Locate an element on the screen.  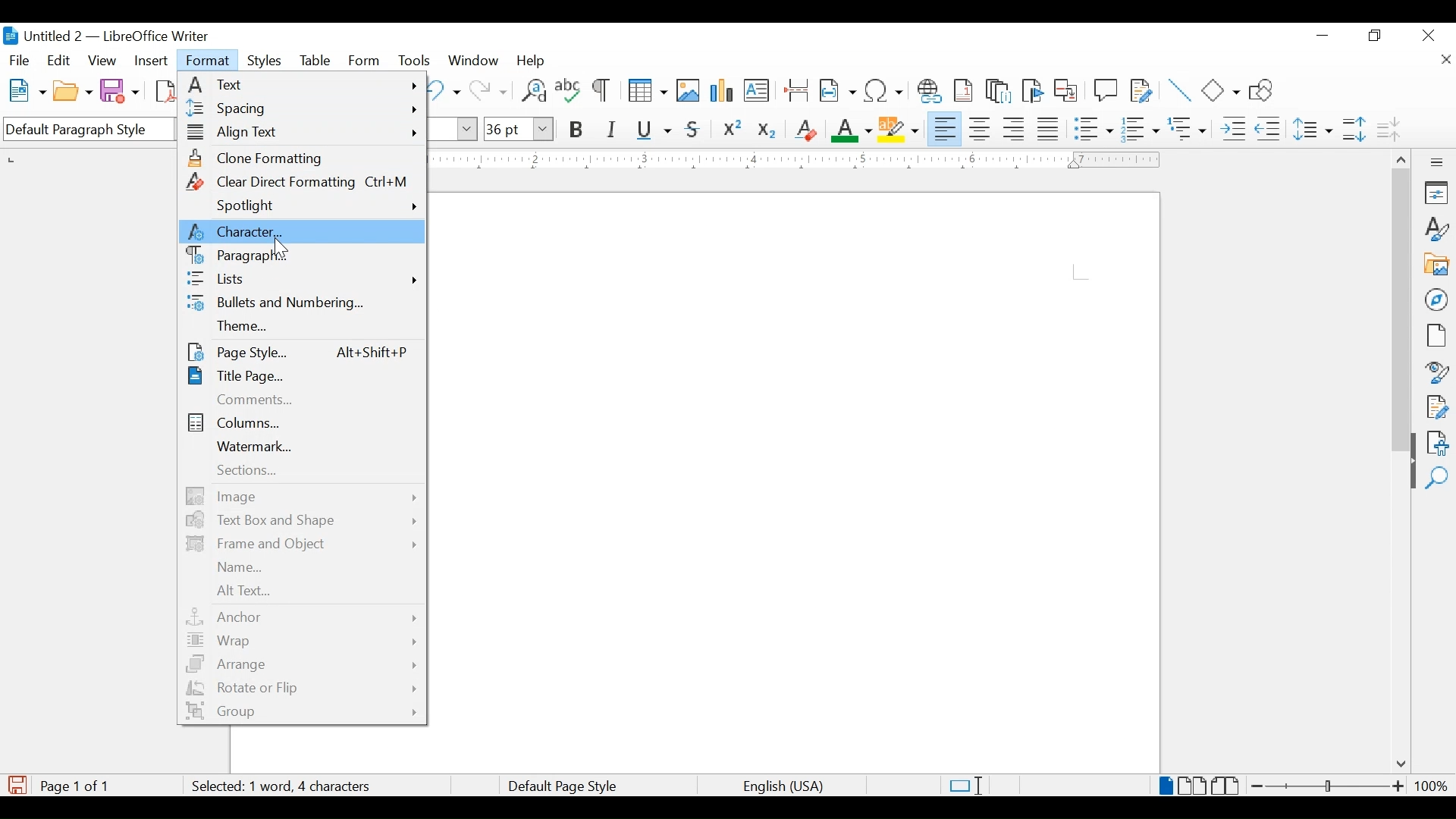
accessibility check is located at coordinates (1438, 443).